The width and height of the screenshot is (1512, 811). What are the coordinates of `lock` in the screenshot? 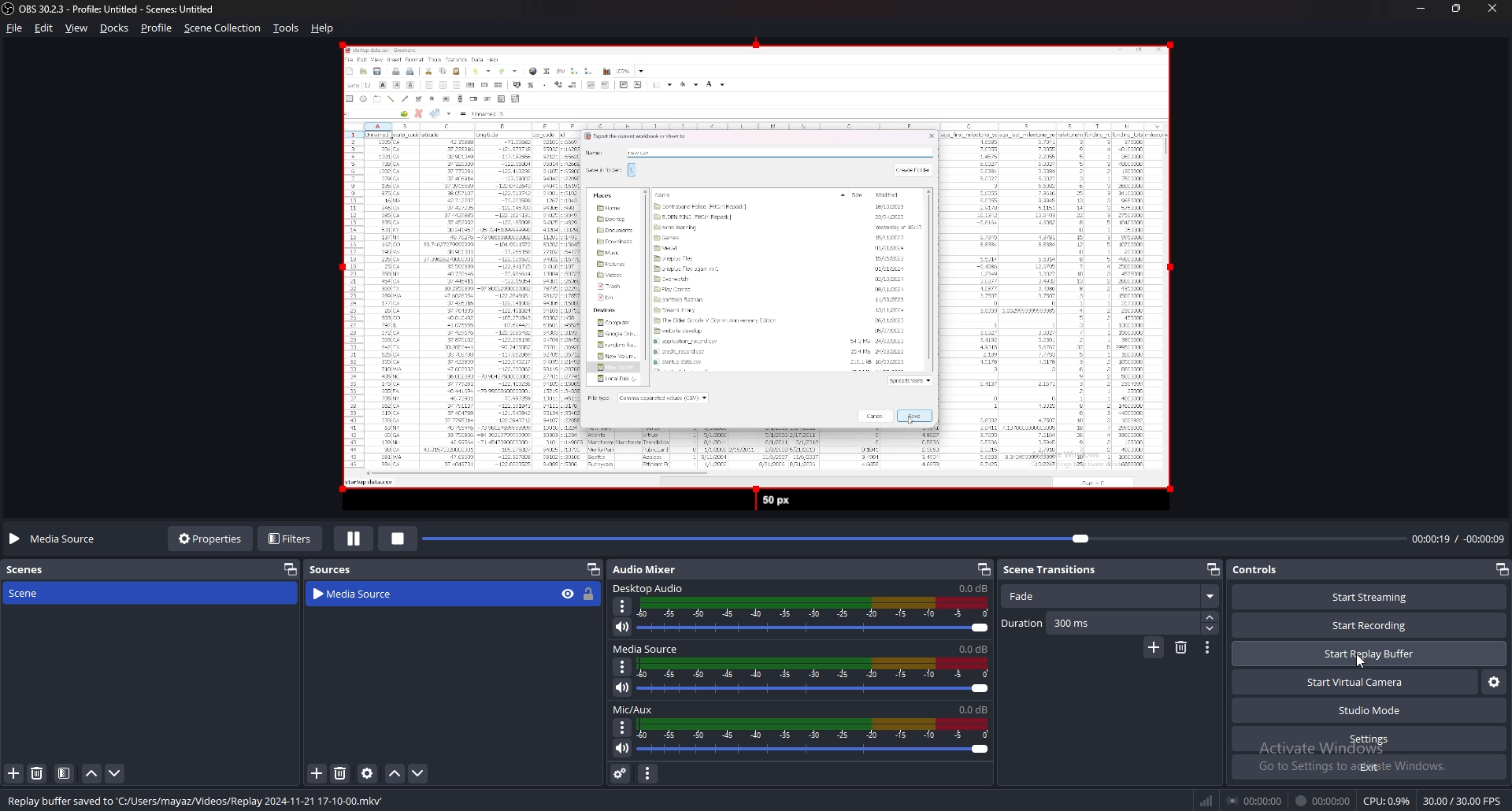 It's located at (590, 595).